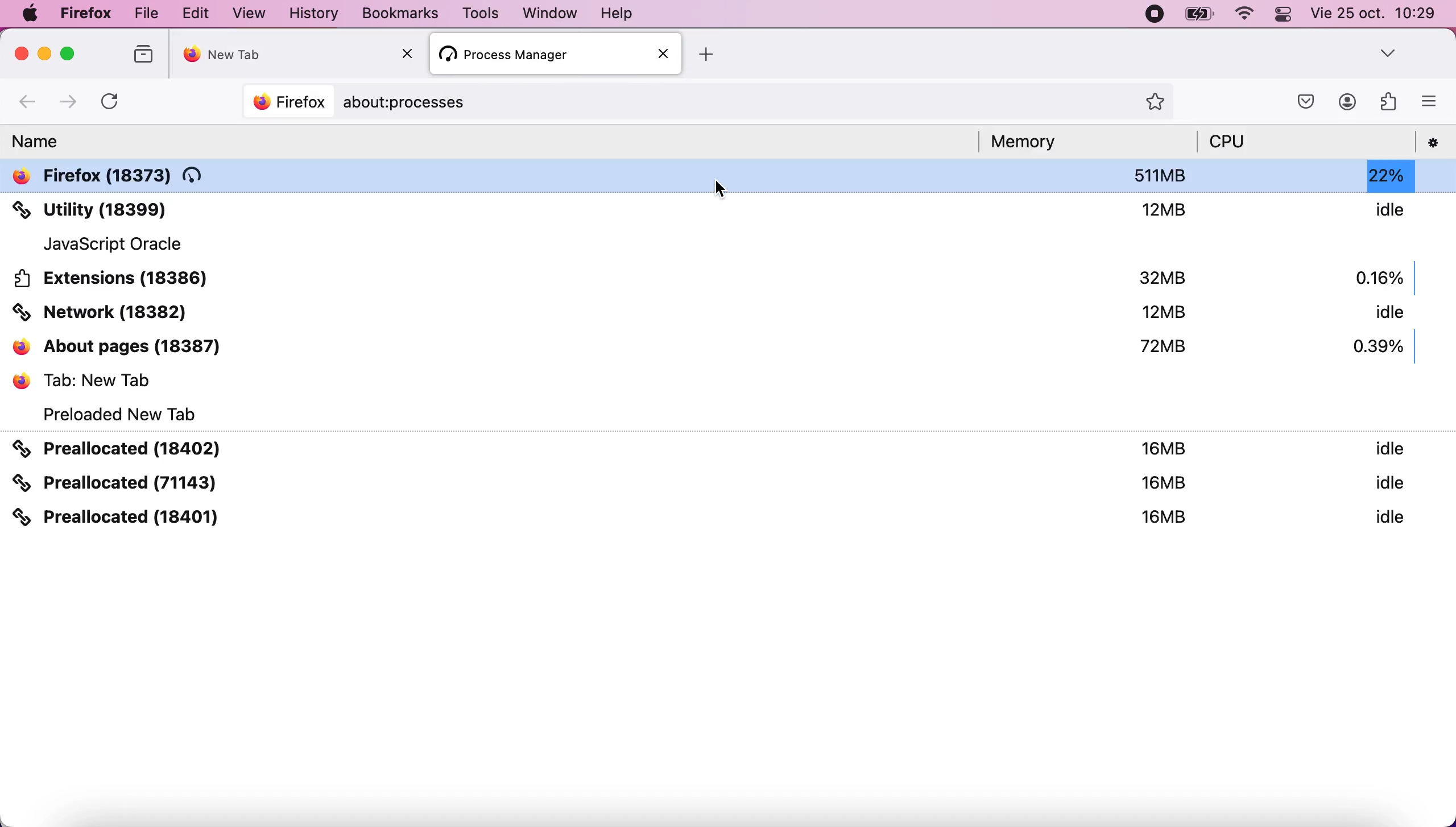 This screenshot has width=1456, height=827. What do you see at coordinates (86, 14) in the screenshot?
I see `Firefox` at bounding box center [86, 14].